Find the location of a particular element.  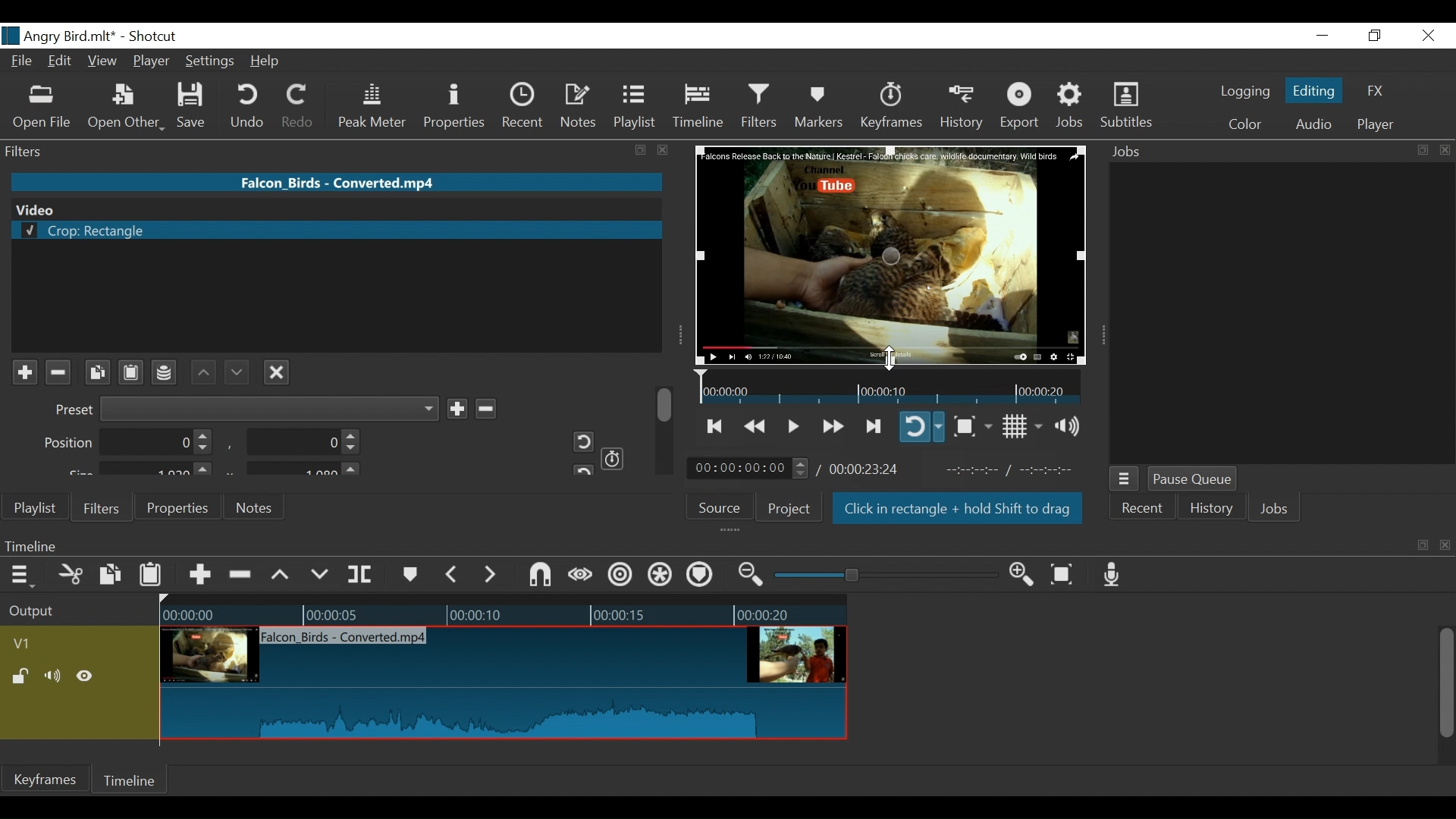

Player is located at coordinates (152, 63).